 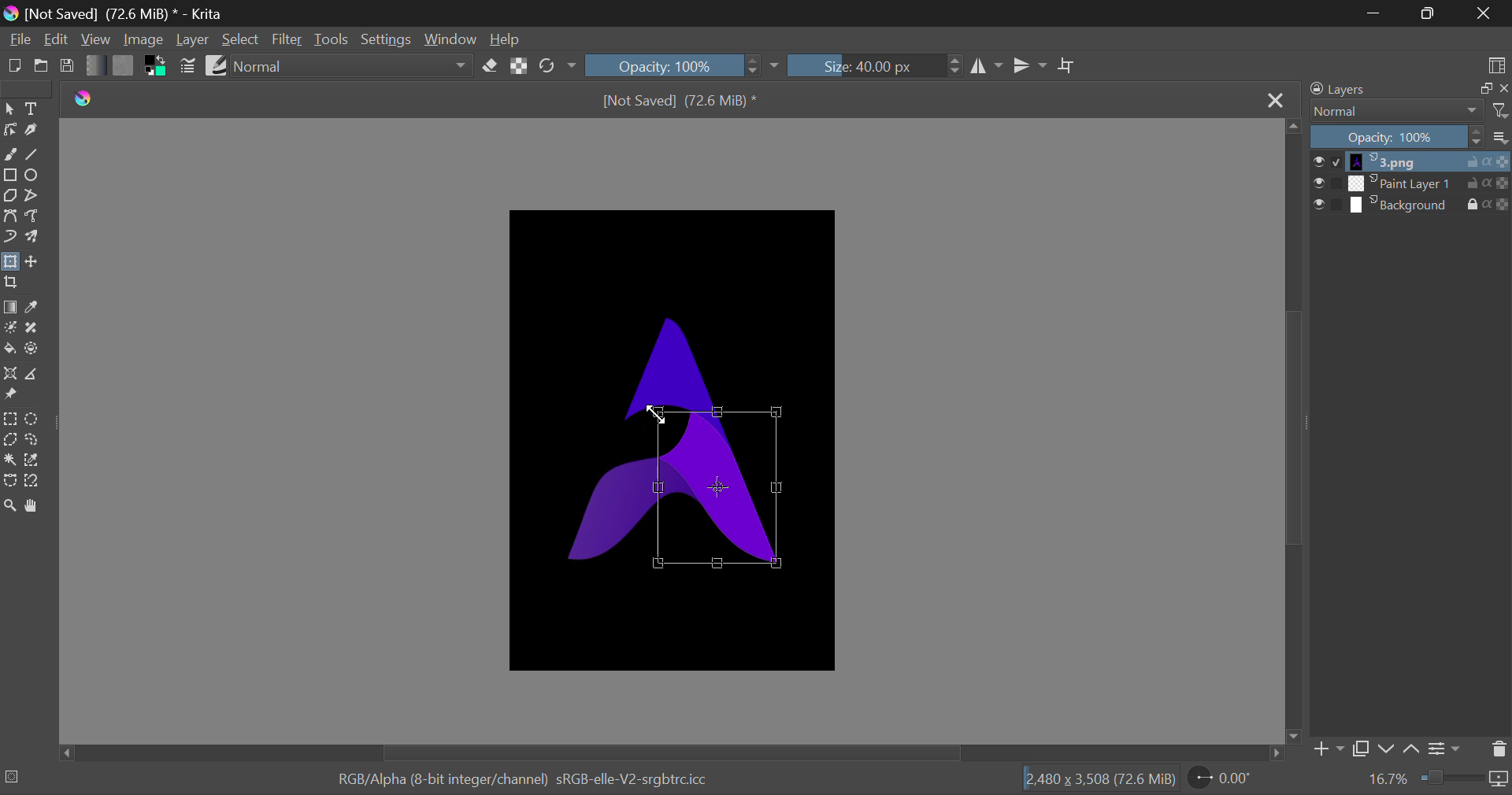 I want to click on Close, so click(x=1273, y=104).